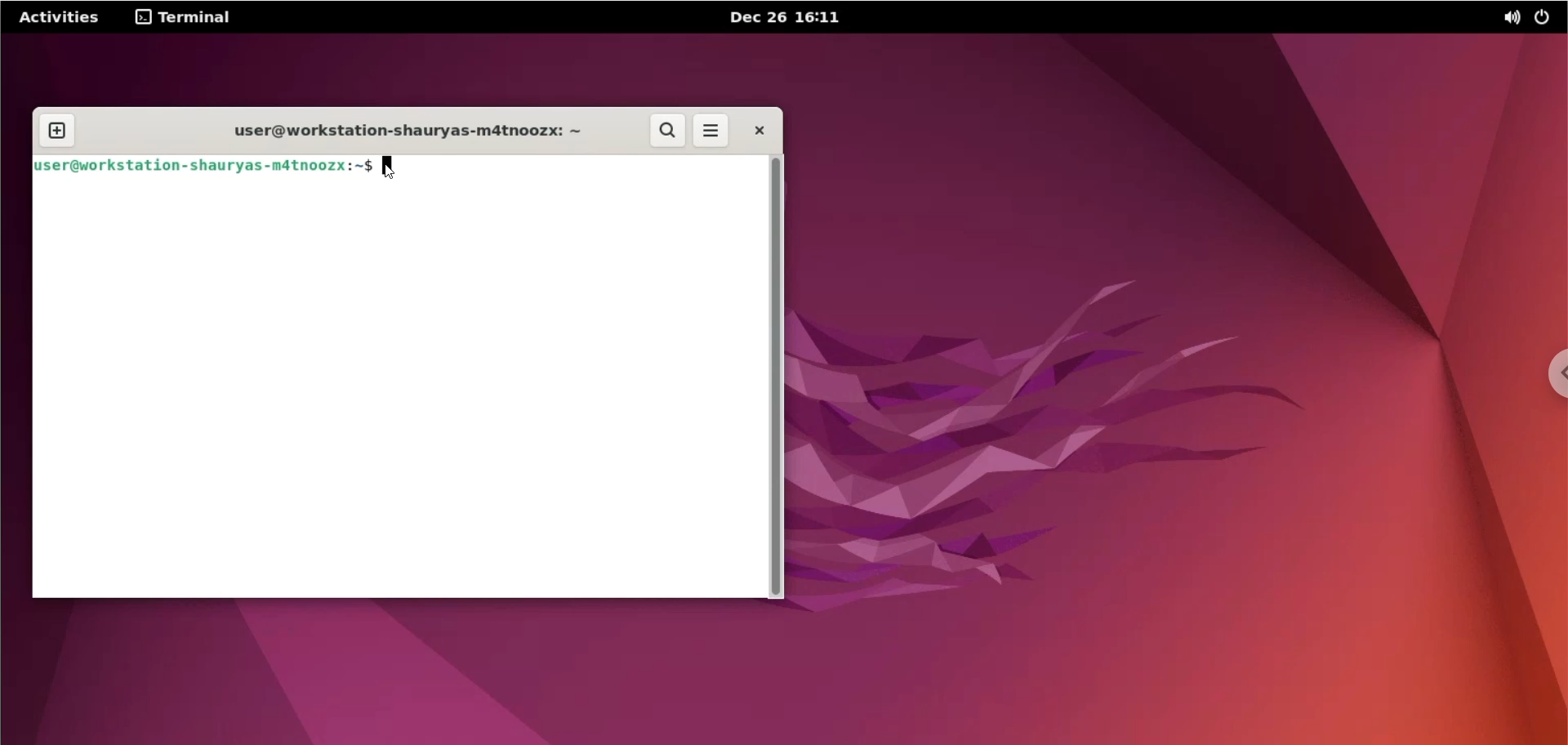 The height and width of the screenshot is (745, 1568). What do you see at coordinates (764, 131) in the screenshot?
I see `close` at bounding box center [764, 131].